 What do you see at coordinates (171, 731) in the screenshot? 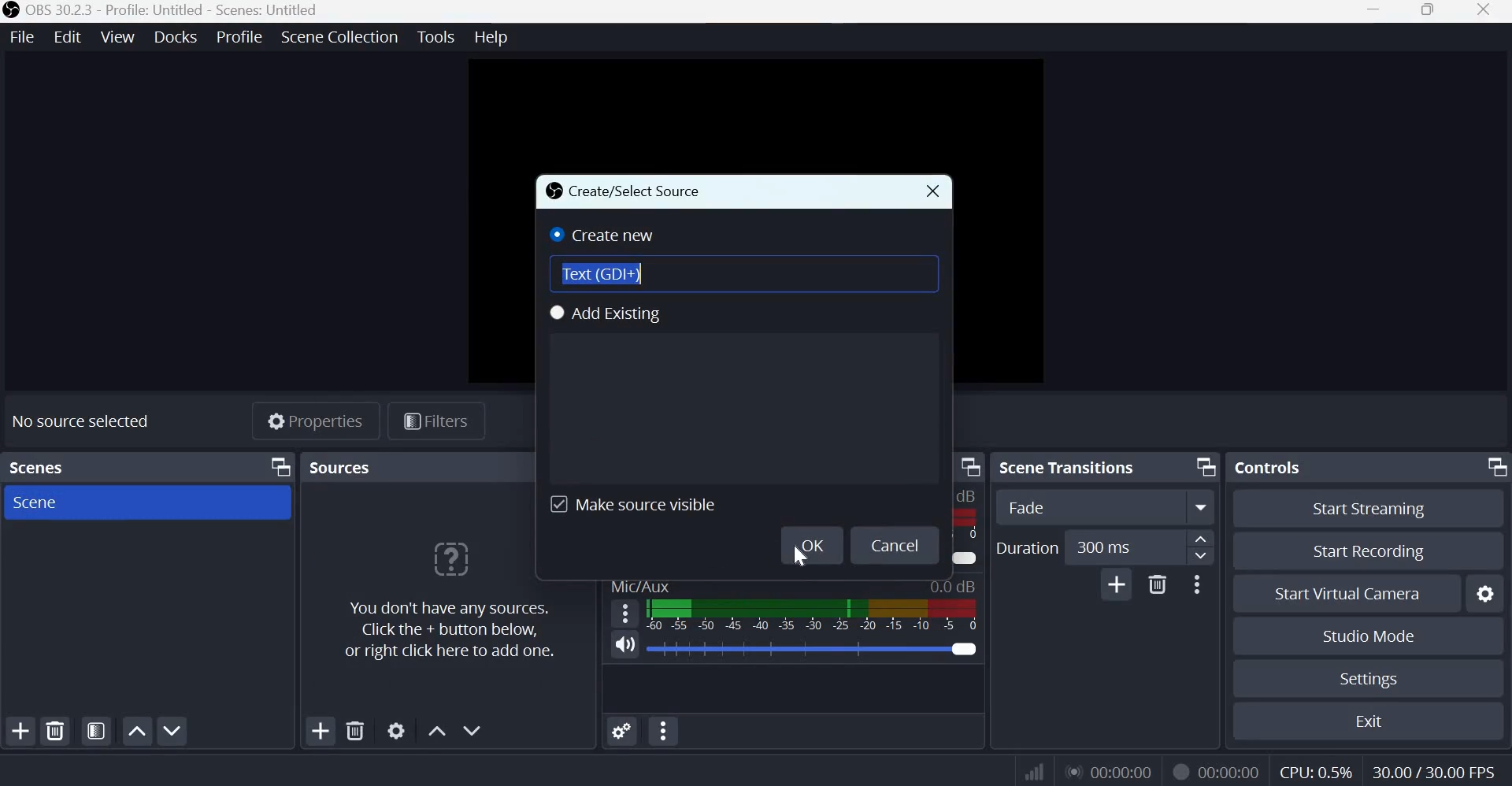
I see `Move scene up` at bounding box center [171, 731].